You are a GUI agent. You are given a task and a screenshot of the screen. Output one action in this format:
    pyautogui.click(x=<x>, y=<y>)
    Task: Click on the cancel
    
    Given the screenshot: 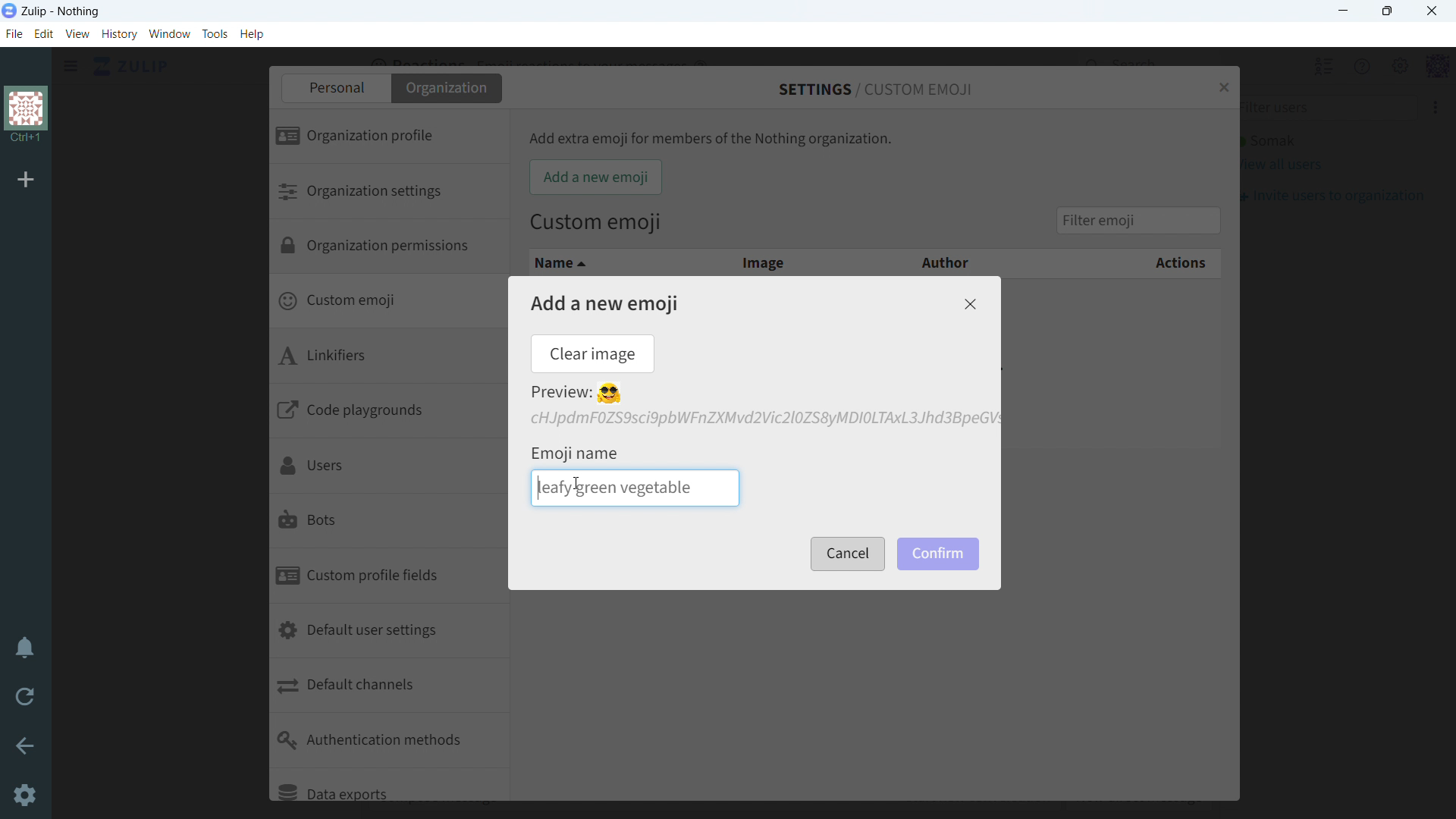 What is the action you would take?
    pyautogui.click(x=846, y=554)
    